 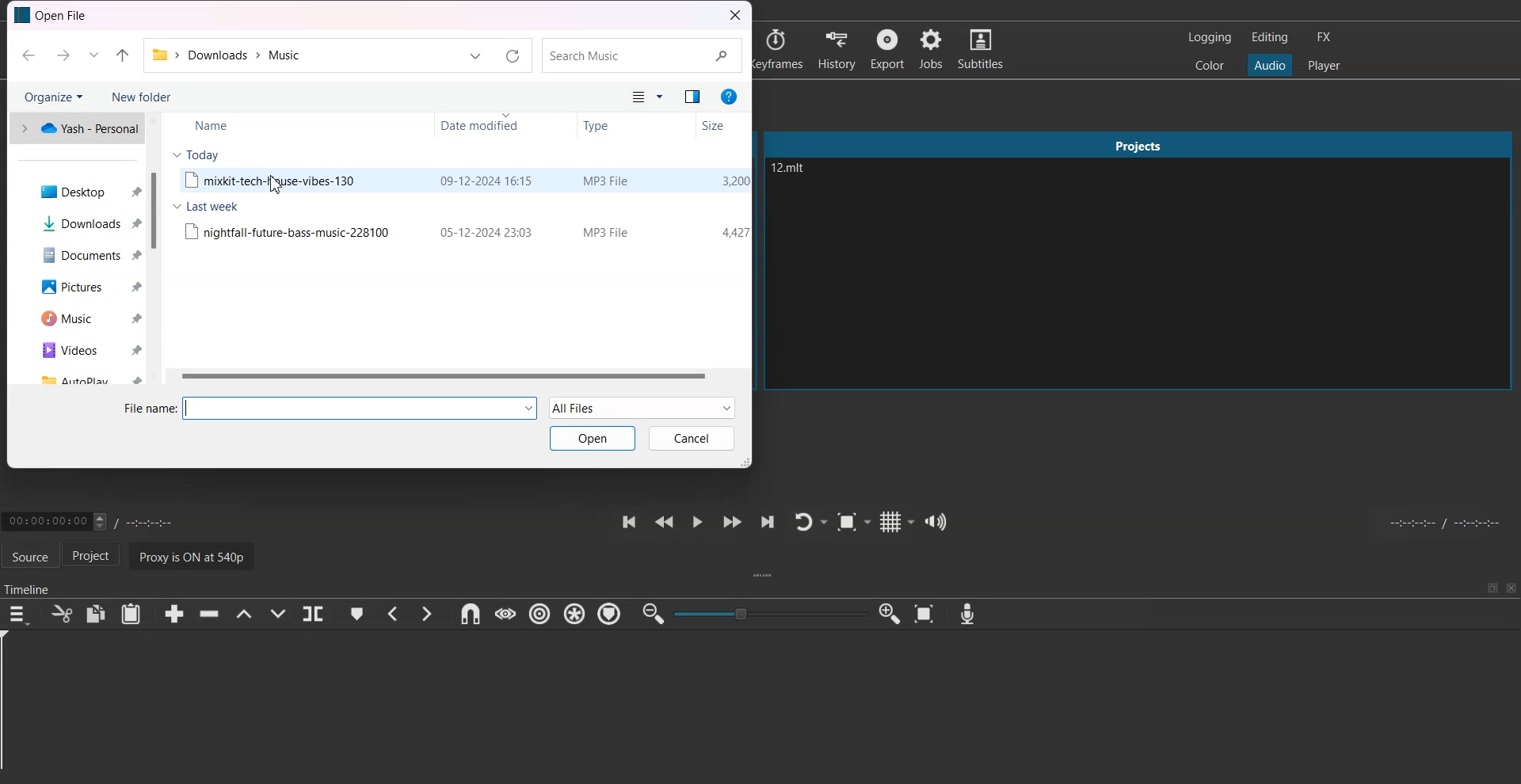 I want to click on Export, so click(x=888, y=48).